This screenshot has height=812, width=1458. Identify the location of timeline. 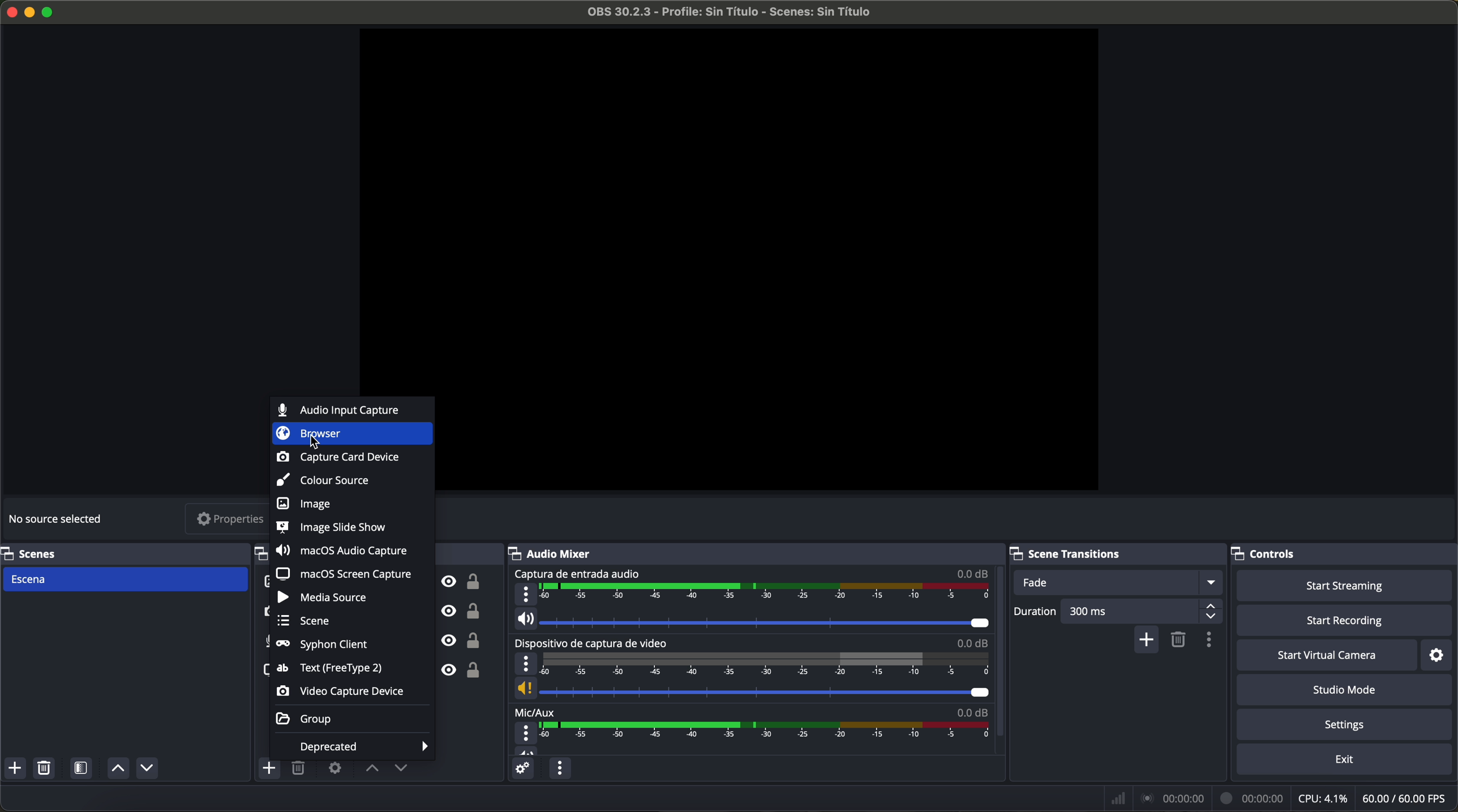
(768, 737).